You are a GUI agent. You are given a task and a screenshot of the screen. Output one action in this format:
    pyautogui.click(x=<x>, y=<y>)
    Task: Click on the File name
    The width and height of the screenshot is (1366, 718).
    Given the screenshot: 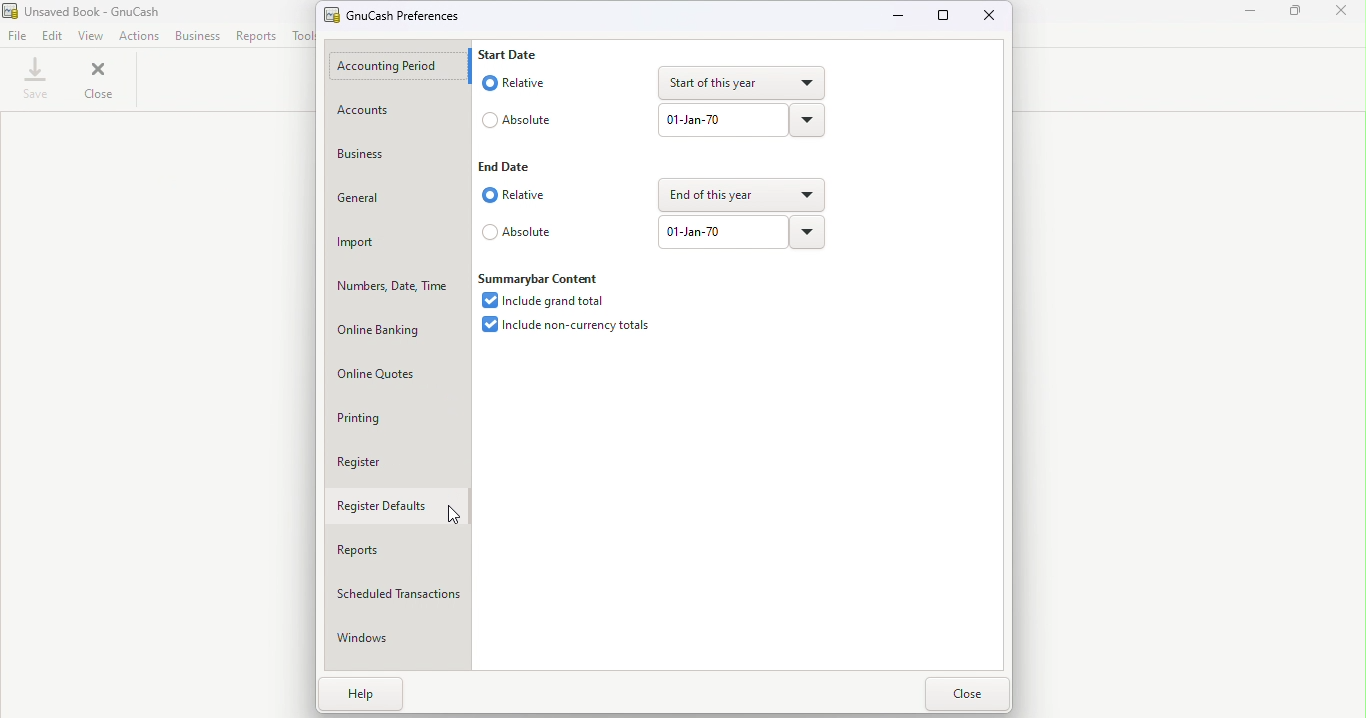 What is the action you would take?
    pyautogui.click(x=21, y=38)
    